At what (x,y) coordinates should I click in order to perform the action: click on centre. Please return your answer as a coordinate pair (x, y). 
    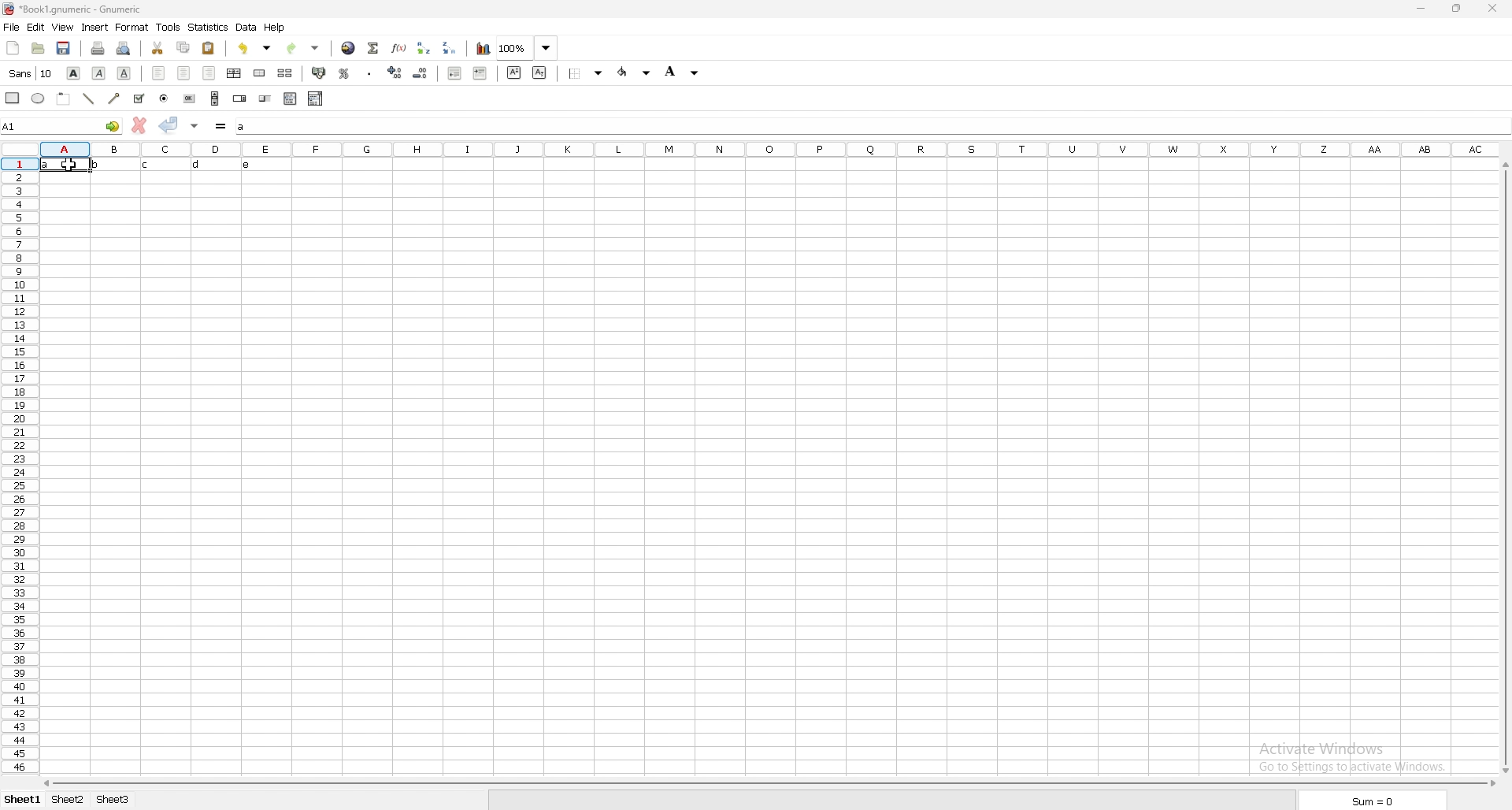
    Looking at the image, I should click on (183, 72).